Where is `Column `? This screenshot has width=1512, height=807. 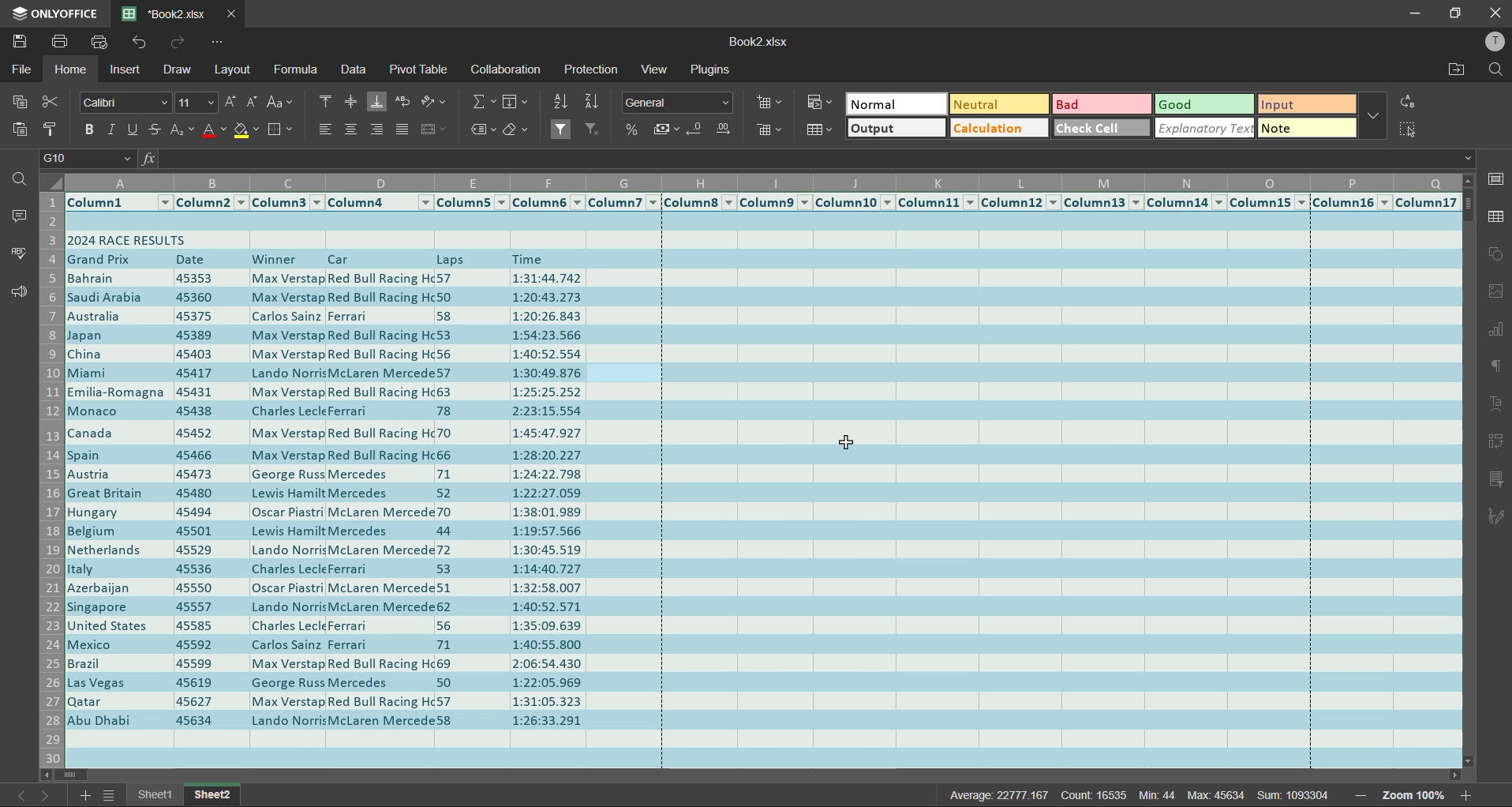
Column  is located at coordinates (1188, 204).